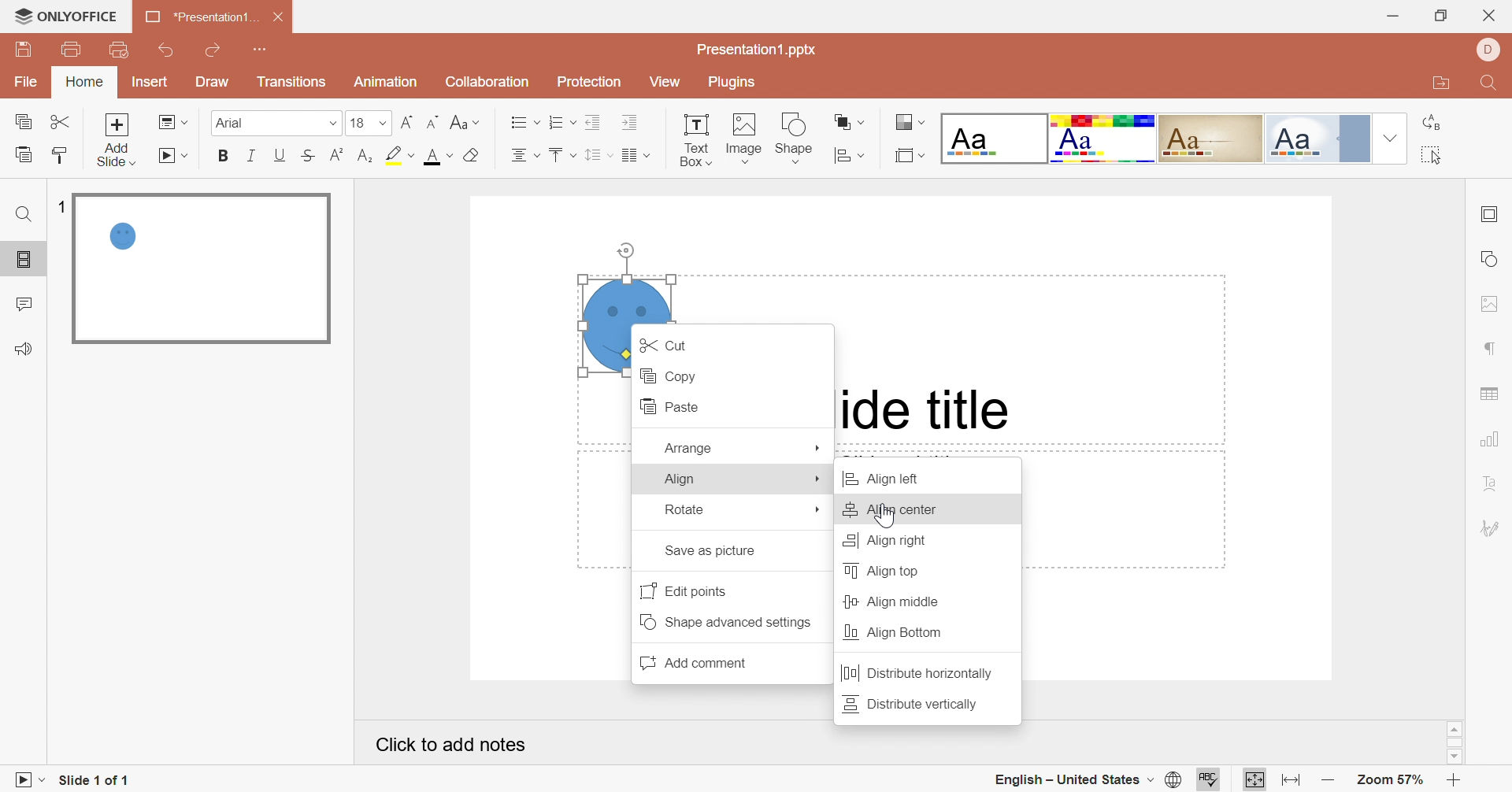 This screenshot has height=792, width=1512. I want to click on Arrange, so click(689, 448).